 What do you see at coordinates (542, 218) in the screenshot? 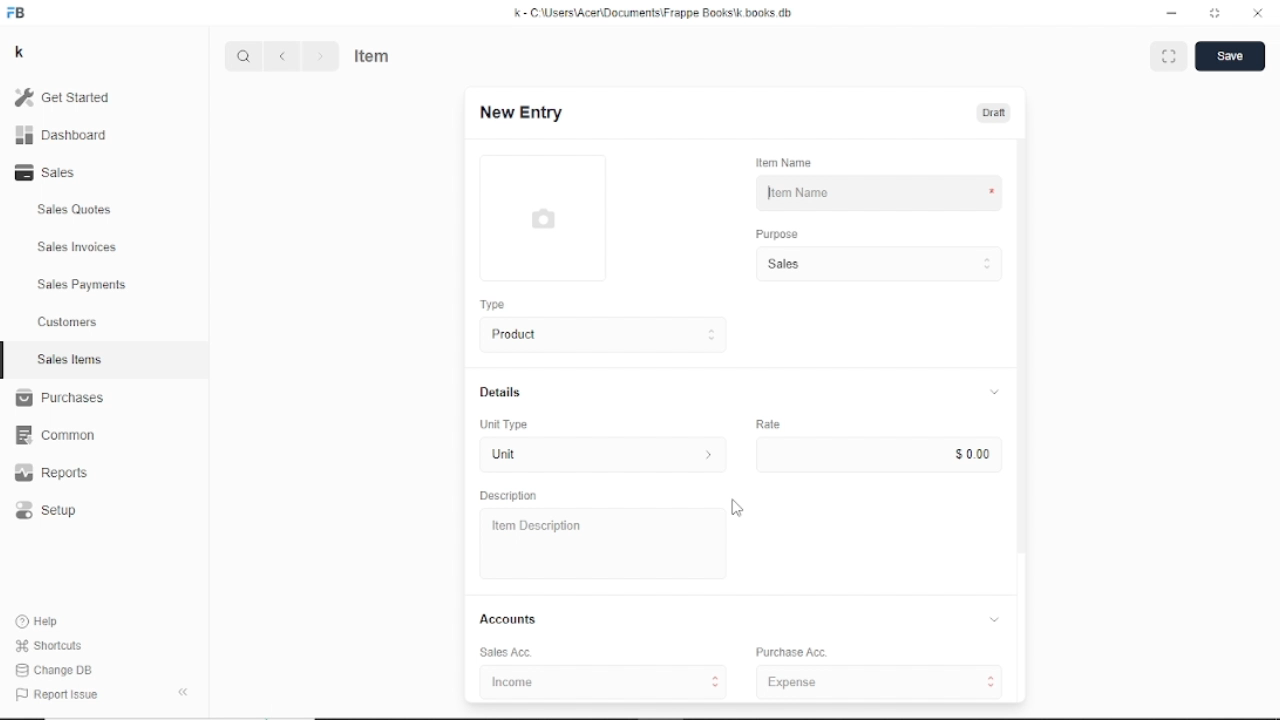
I see `Picture` at bounding box center [542, 218].